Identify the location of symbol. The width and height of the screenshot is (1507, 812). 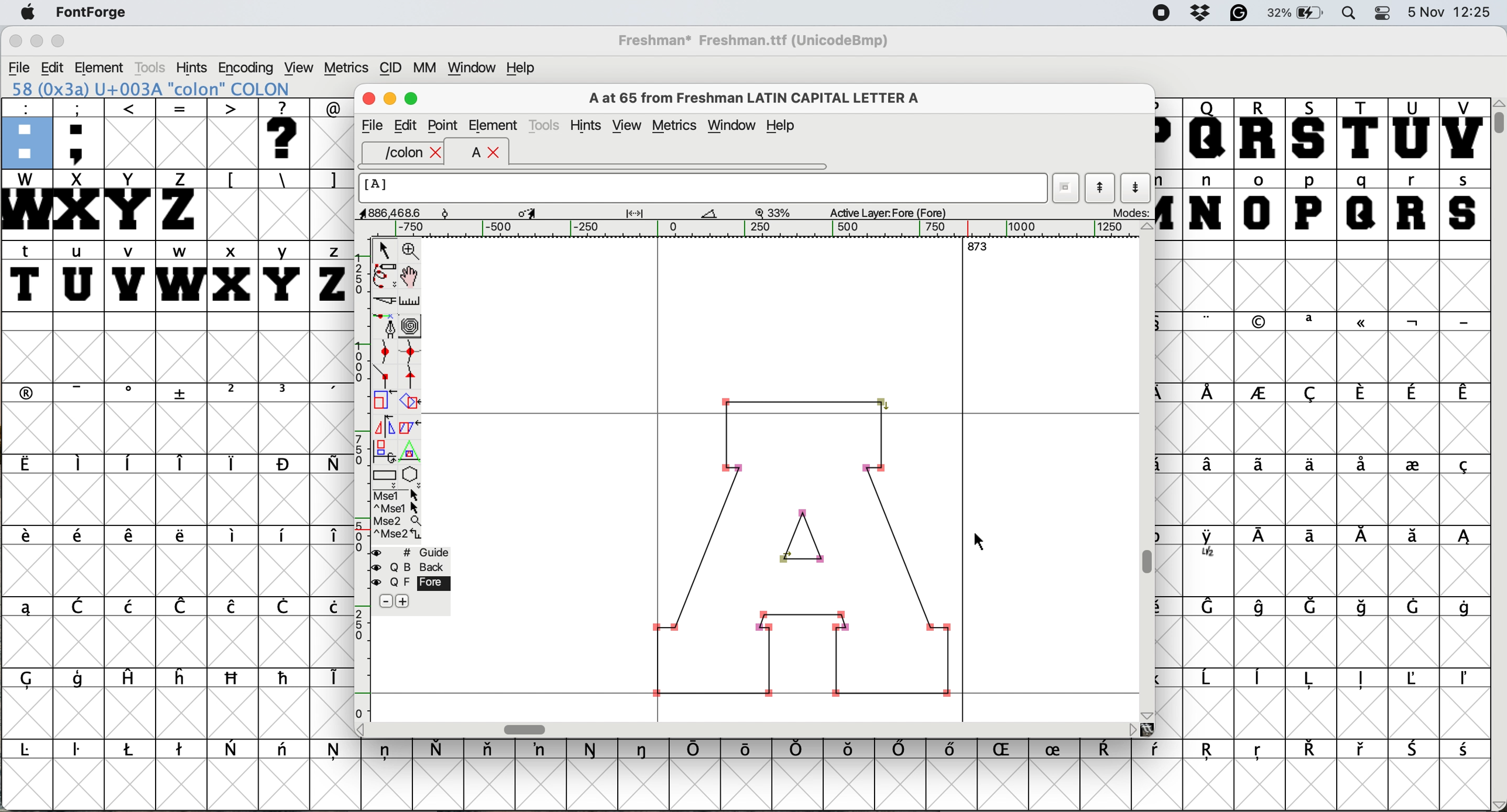
(181, 750).